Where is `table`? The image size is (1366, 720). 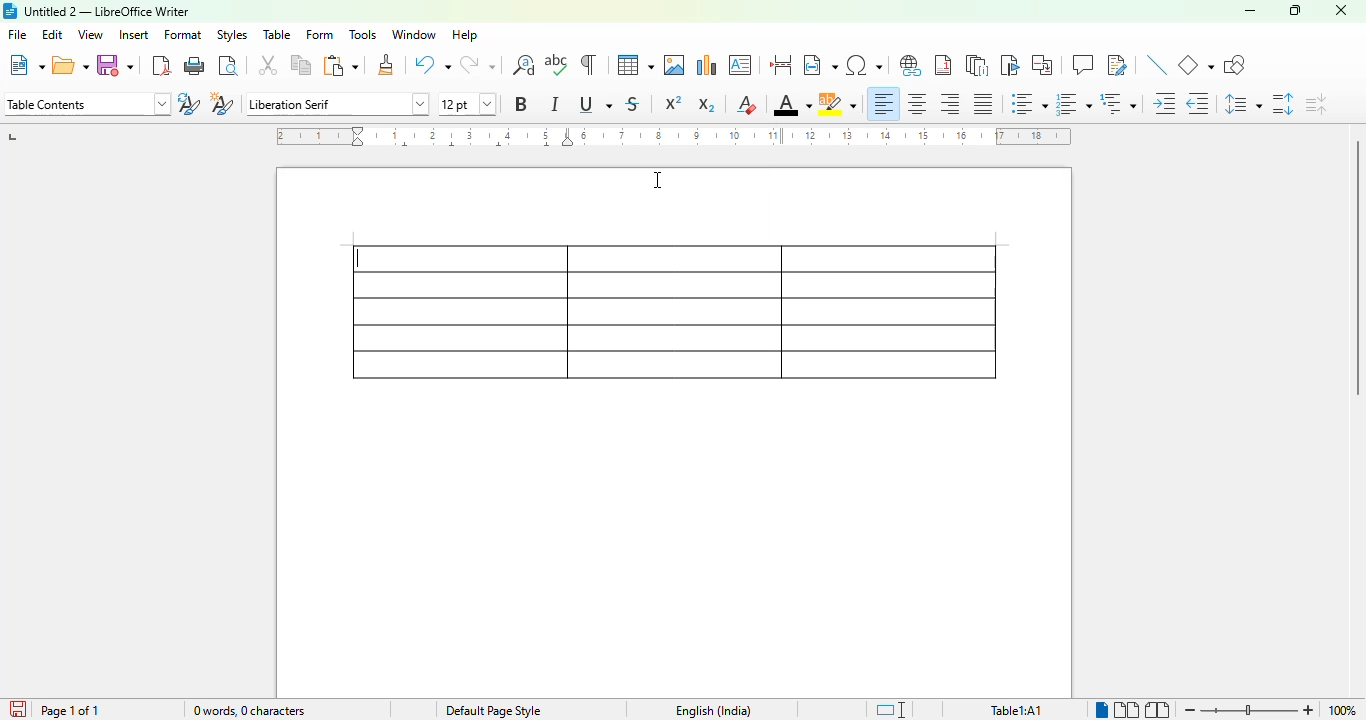
table is located at coordinates (277, 35).